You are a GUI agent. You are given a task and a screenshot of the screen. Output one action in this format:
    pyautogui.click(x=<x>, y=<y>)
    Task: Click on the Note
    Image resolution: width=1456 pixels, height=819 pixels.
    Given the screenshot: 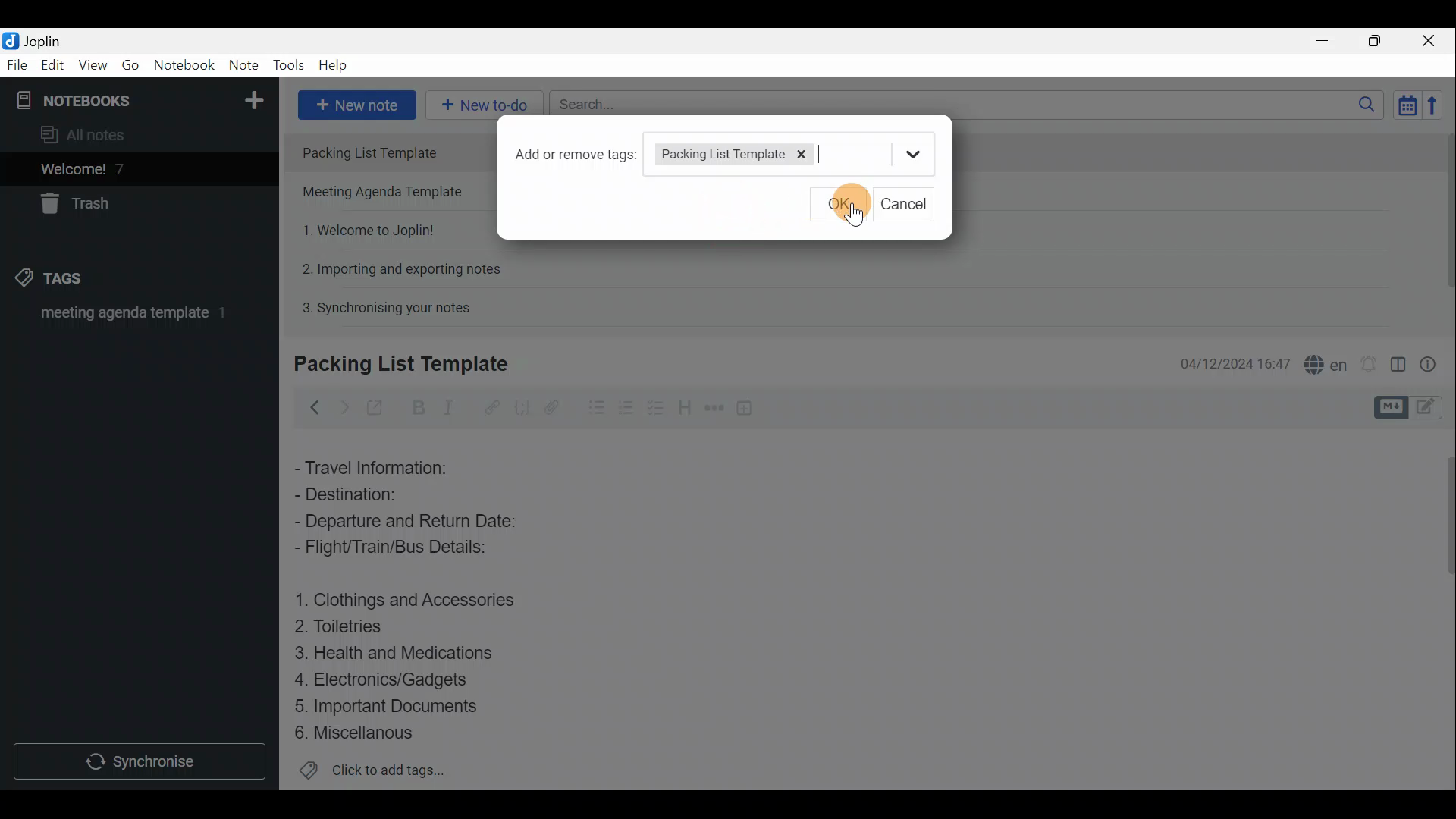 What is the action you would take?
    pyautogui.click(x=243, y=66)
    